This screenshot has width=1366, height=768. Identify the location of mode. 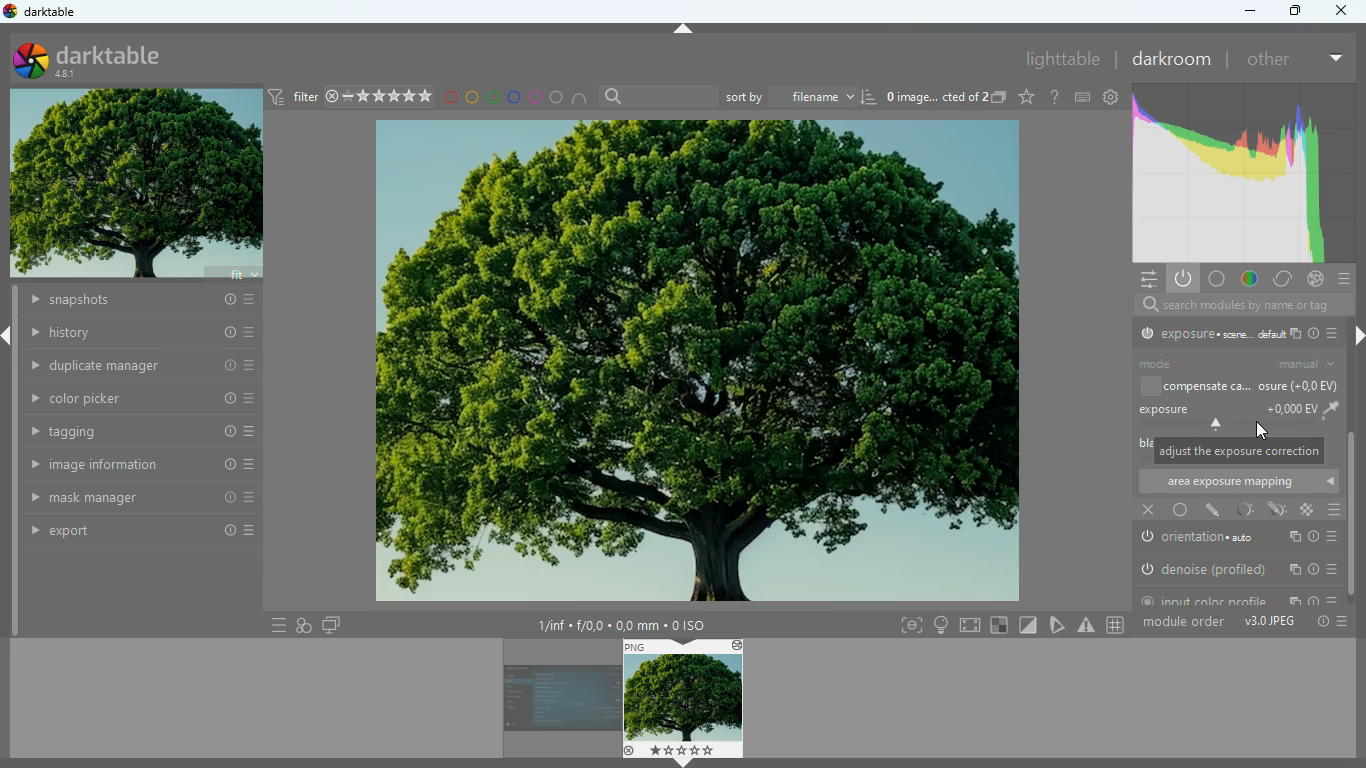
(1246, 362).